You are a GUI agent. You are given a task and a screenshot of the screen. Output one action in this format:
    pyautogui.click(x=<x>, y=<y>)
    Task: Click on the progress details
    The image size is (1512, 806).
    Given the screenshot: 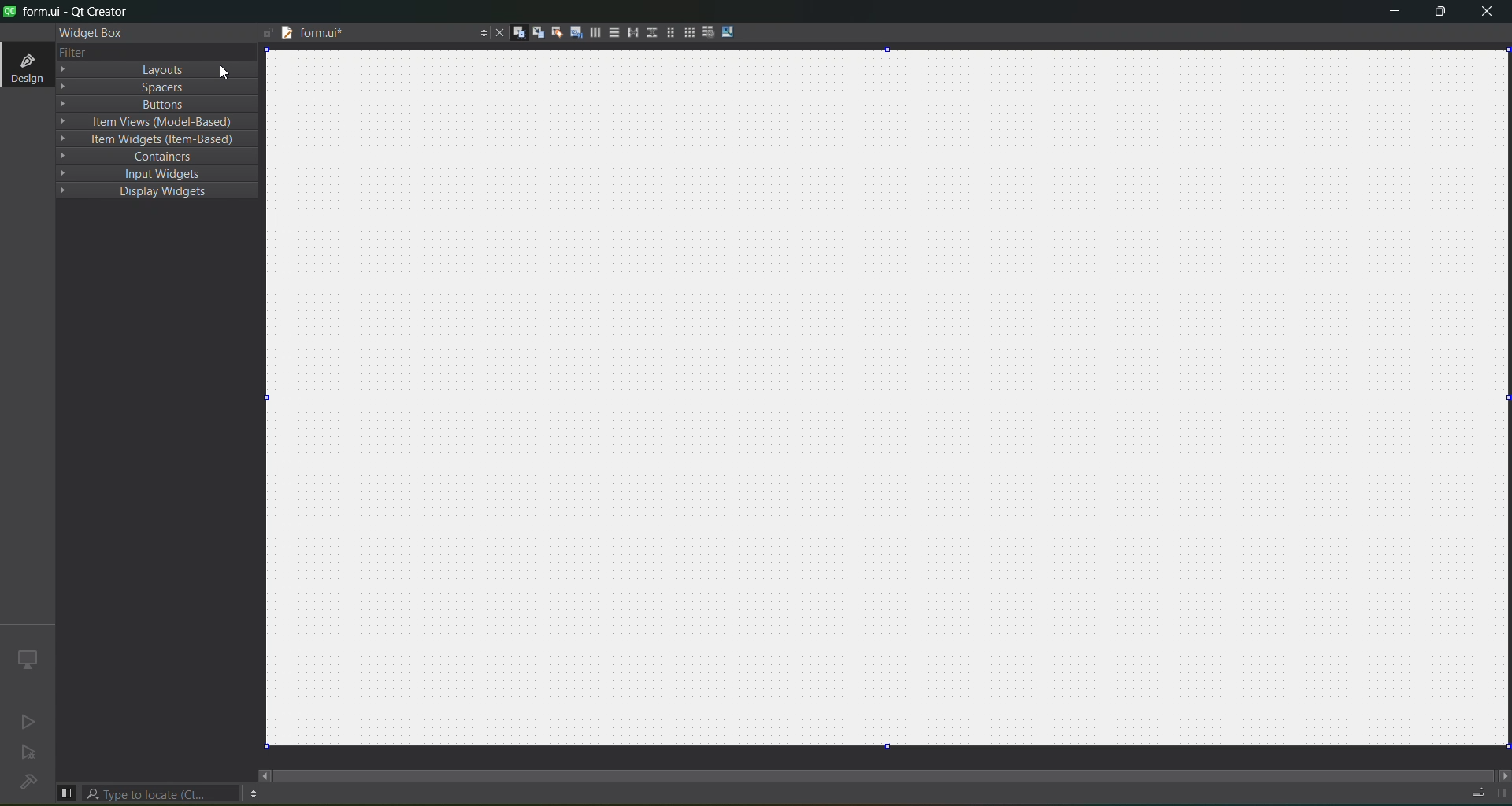 What is the action you would take?
    pyautogui.click(x=1477, y=792)
    